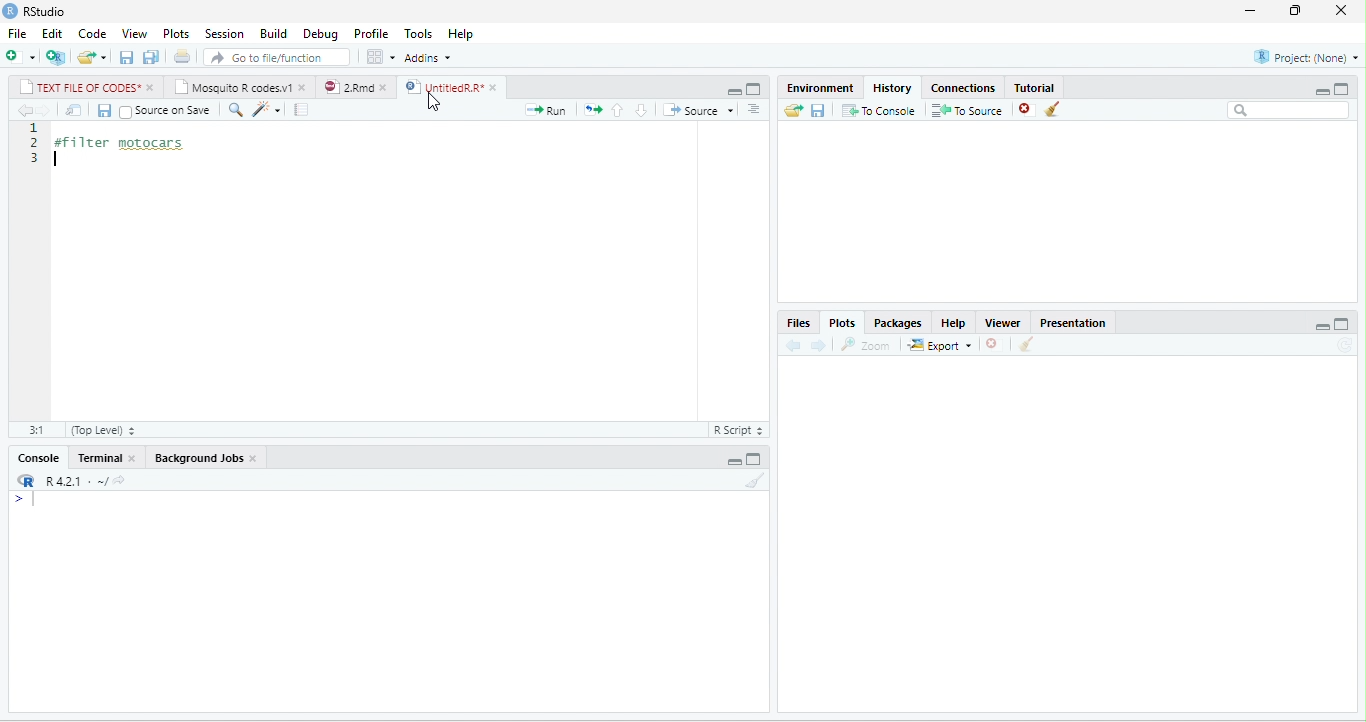  Describe the element at coordinates (80, 86) in the screenshot. I see `TEXT FILE OF CODES` at that location.